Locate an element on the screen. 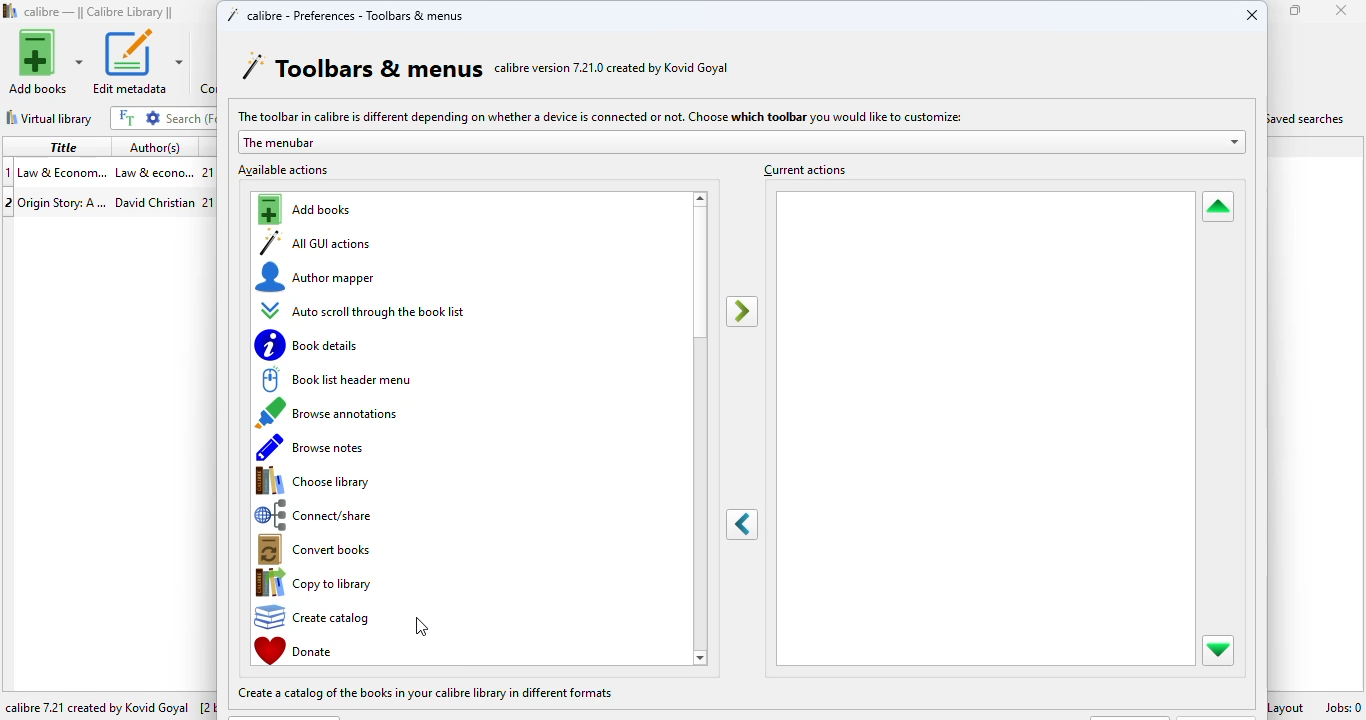  author(s) is located at coordinates (155, 148).